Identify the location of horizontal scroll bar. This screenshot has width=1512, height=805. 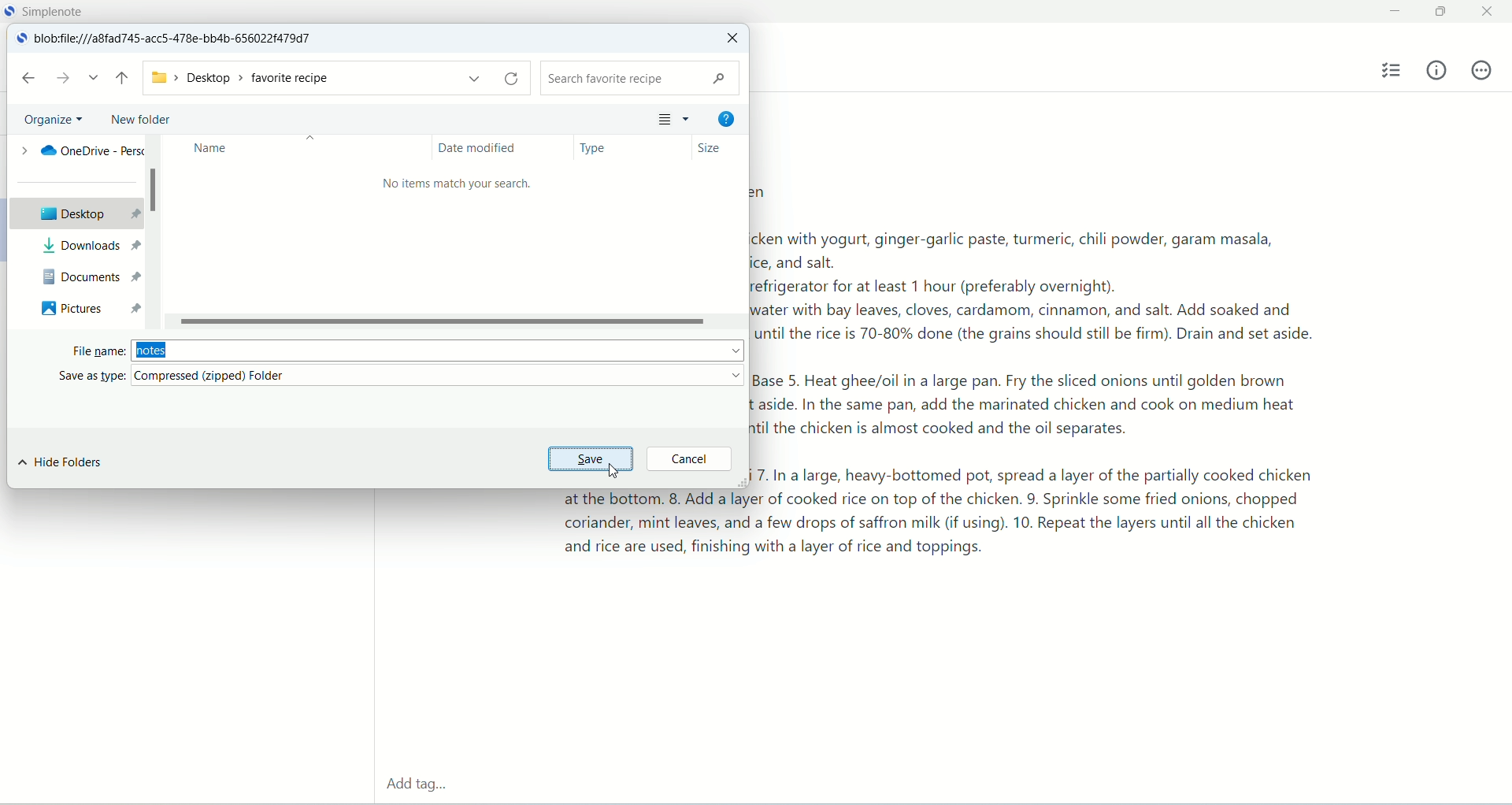
(455, 322).